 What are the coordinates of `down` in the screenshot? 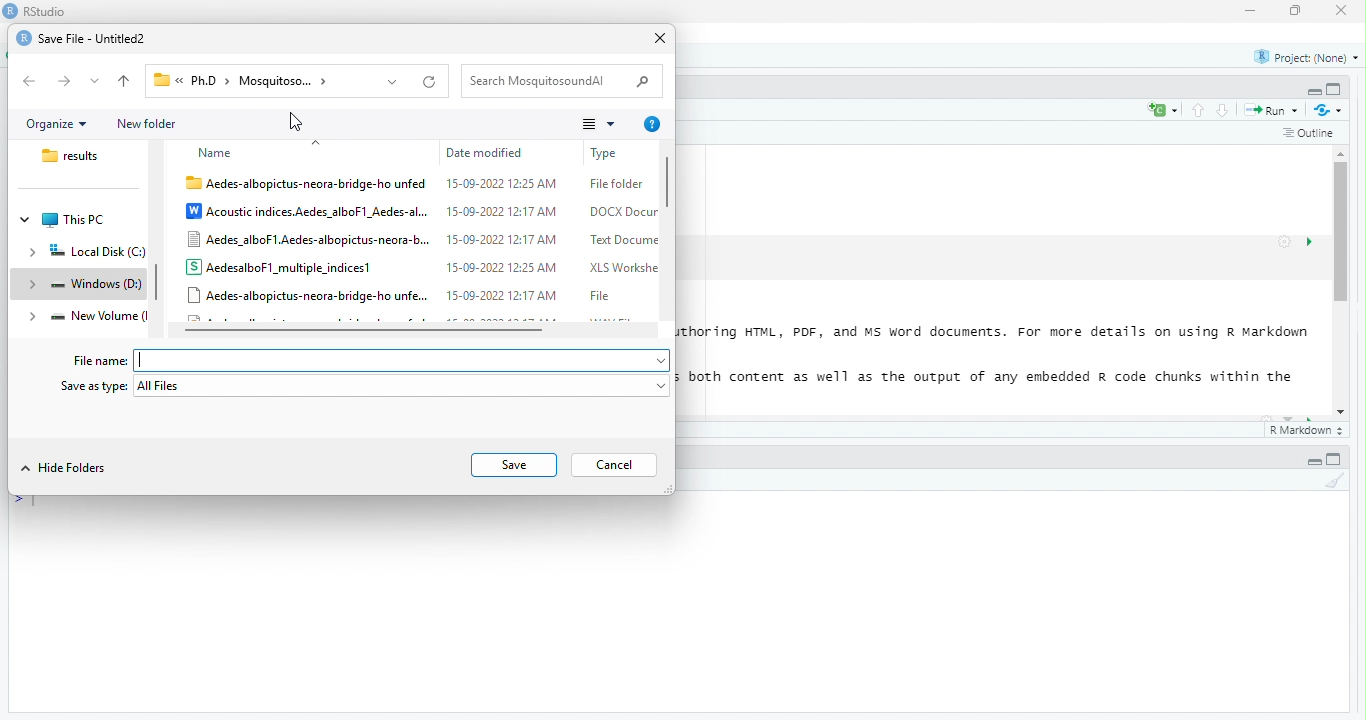 It's located at (1224, 110).